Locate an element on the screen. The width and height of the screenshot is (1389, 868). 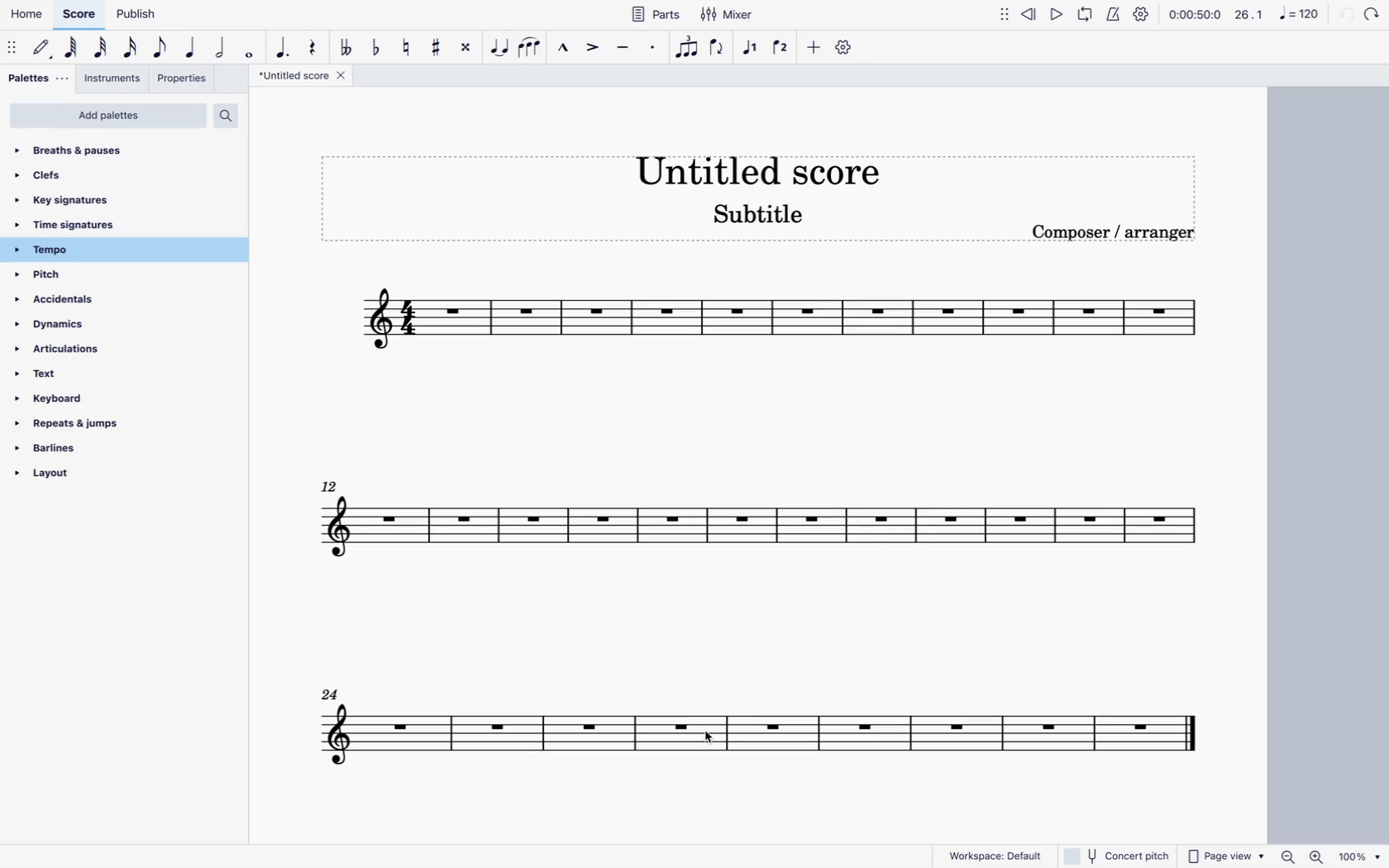
double note is located at coordinates (221, 47).